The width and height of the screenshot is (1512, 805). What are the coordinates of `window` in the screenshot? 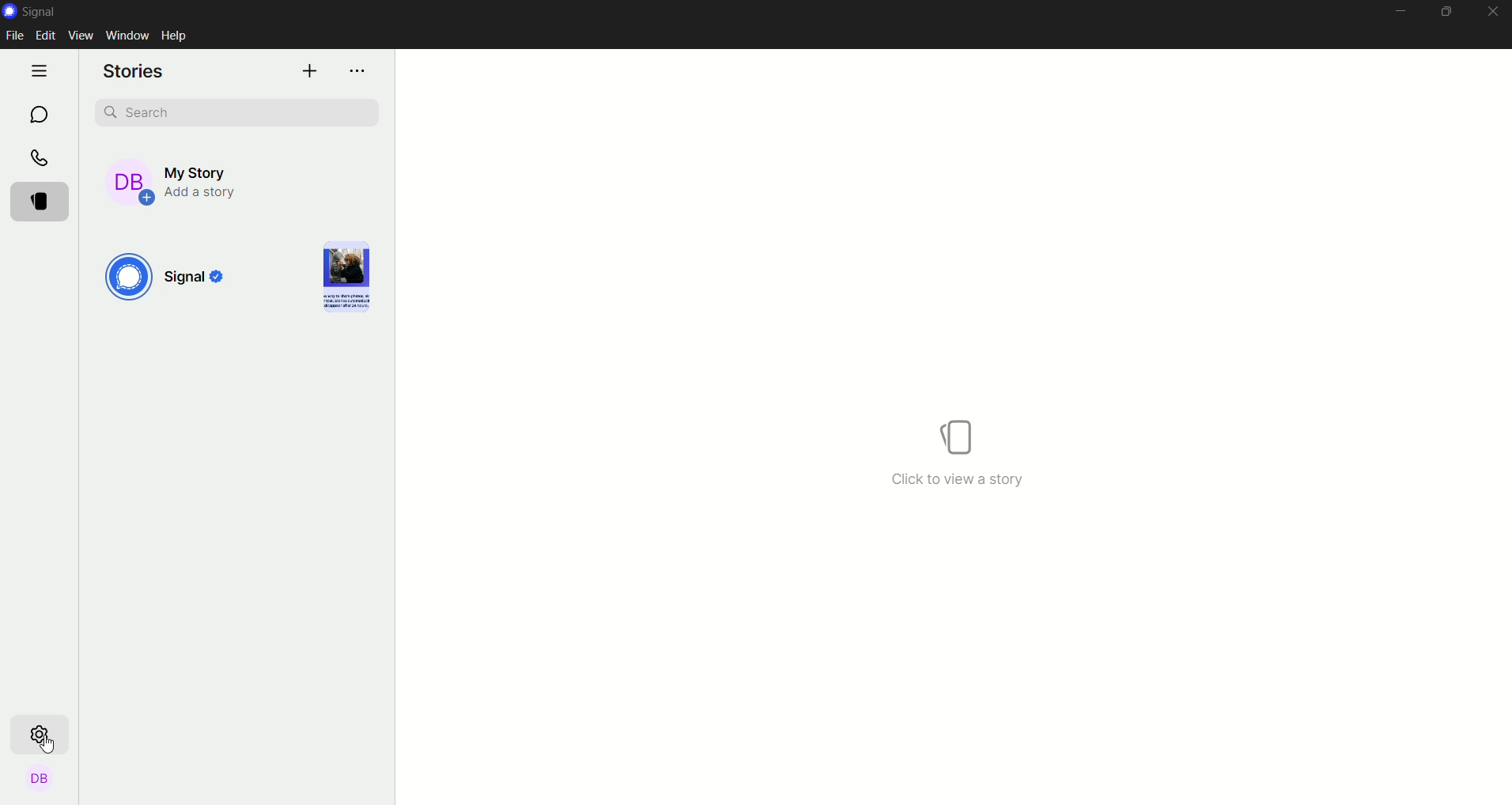 It's located at (127, 34).